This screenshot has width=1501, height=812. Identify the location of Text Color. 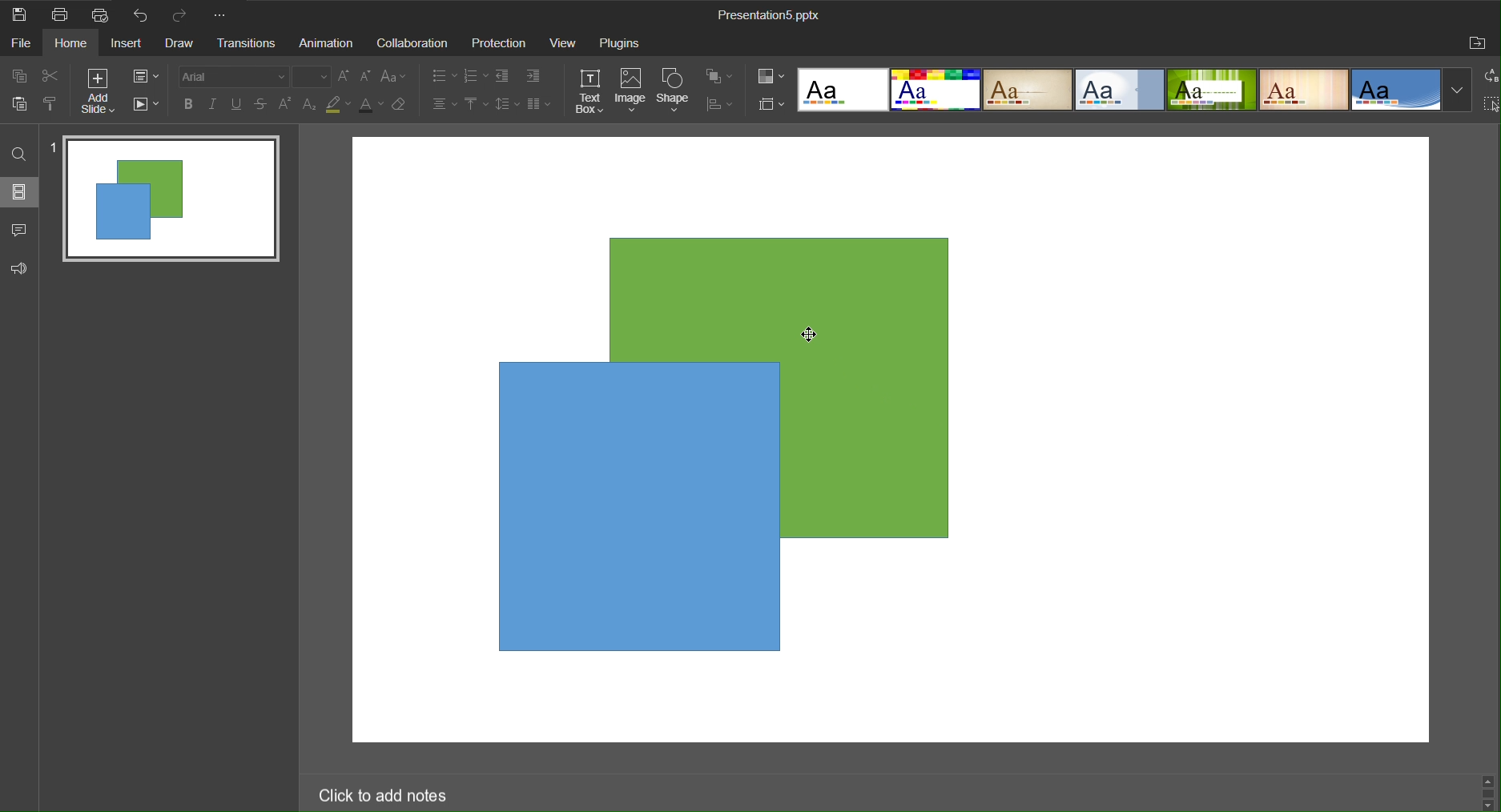
(372, 105).